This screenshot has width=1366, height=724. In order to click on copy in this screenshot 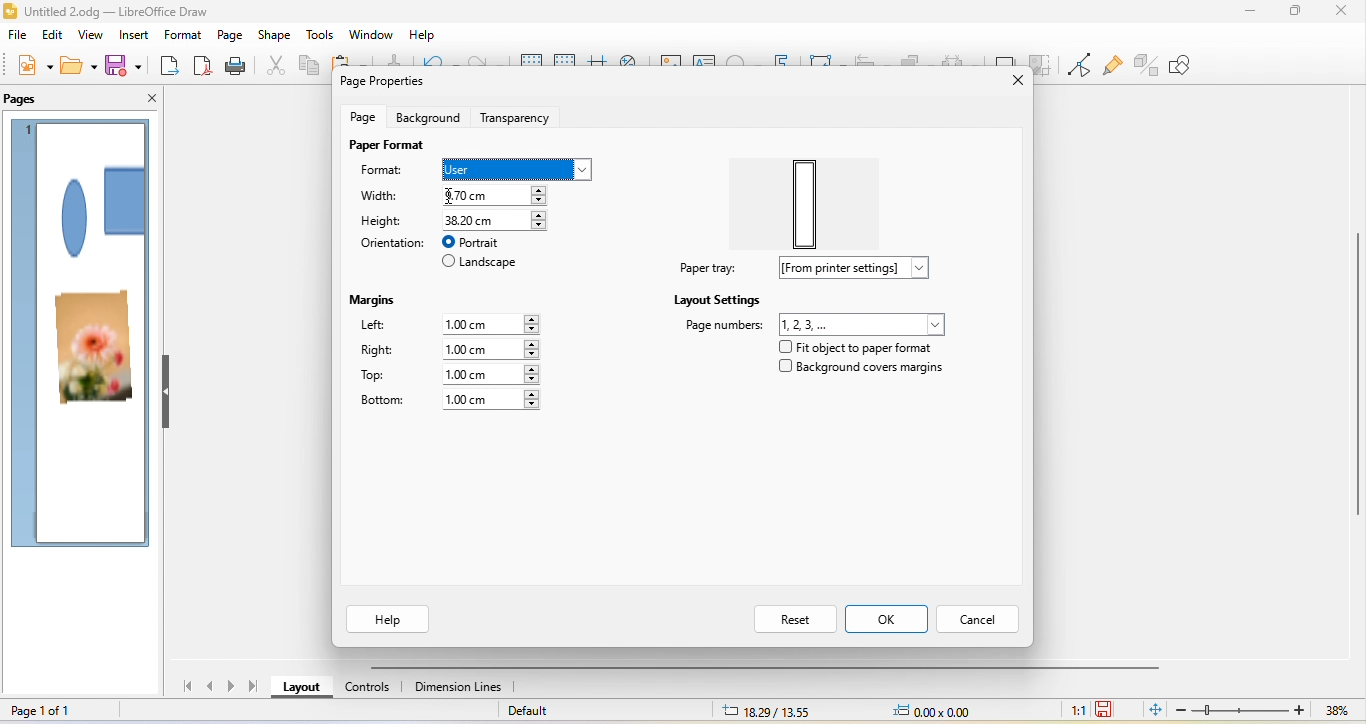, I will do `click(310, 67)`.